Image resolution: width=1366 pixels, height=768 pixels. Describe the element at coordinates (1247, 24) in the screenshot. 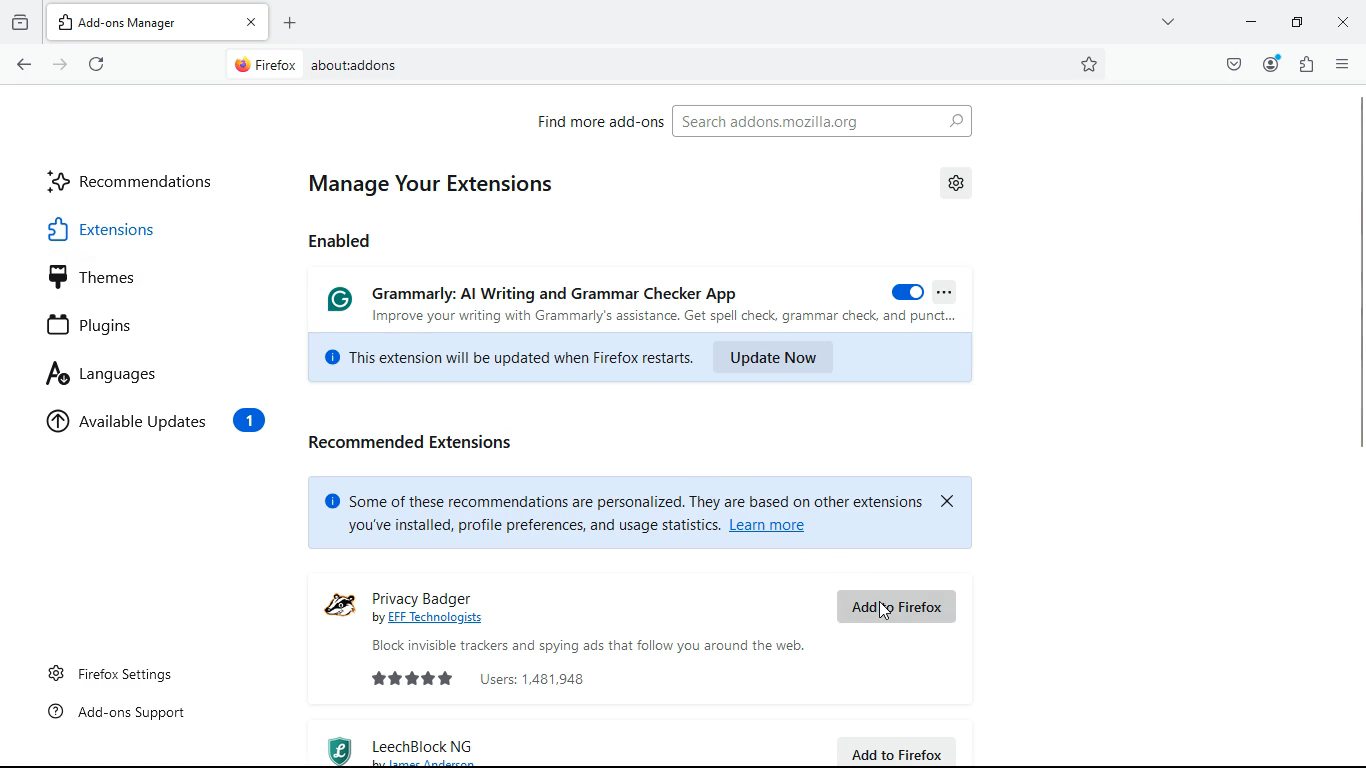

I see `minimize` at that location.